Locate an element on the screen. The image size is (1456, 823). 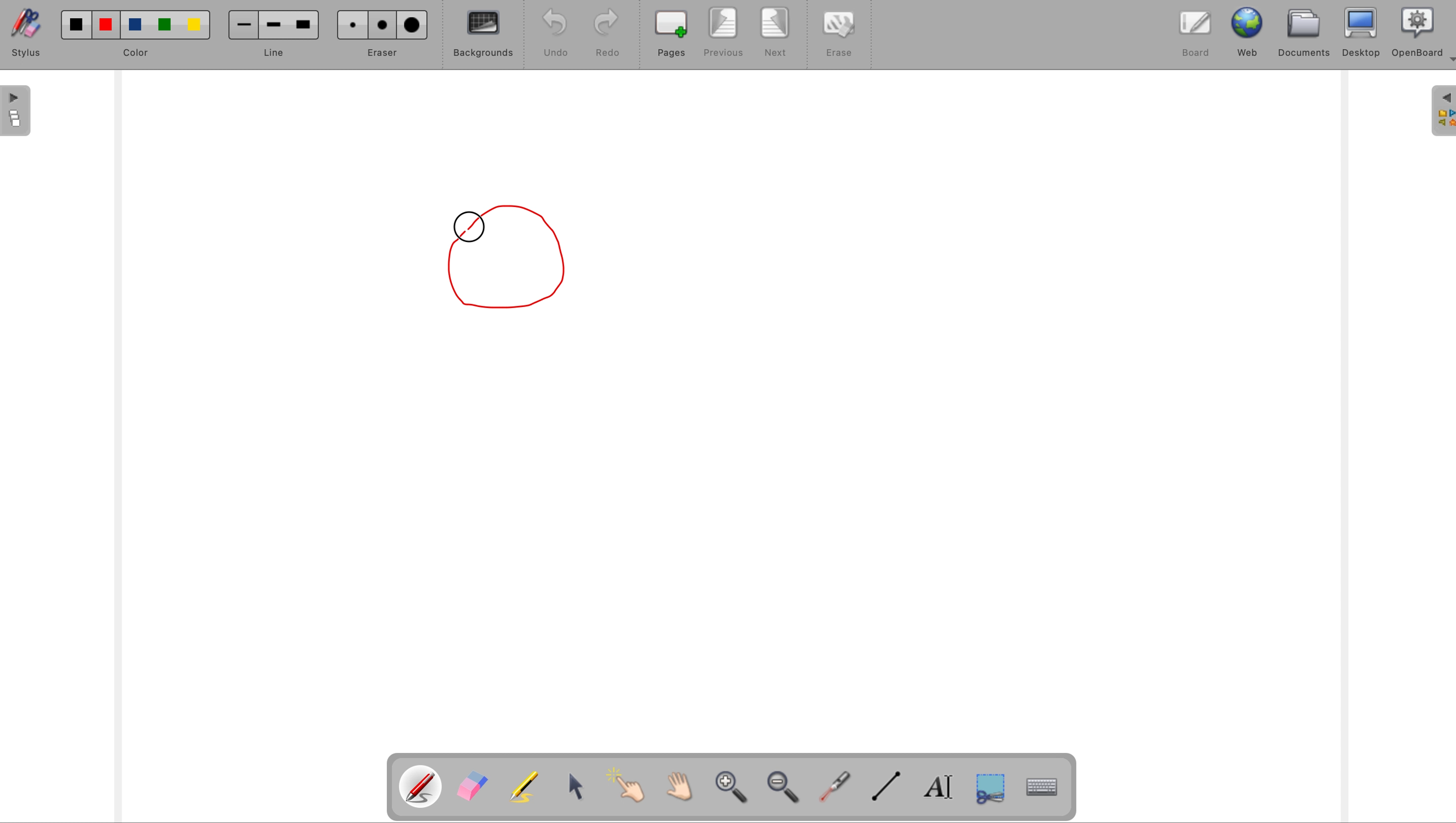
draw lines is located at coordinates (889, 791).